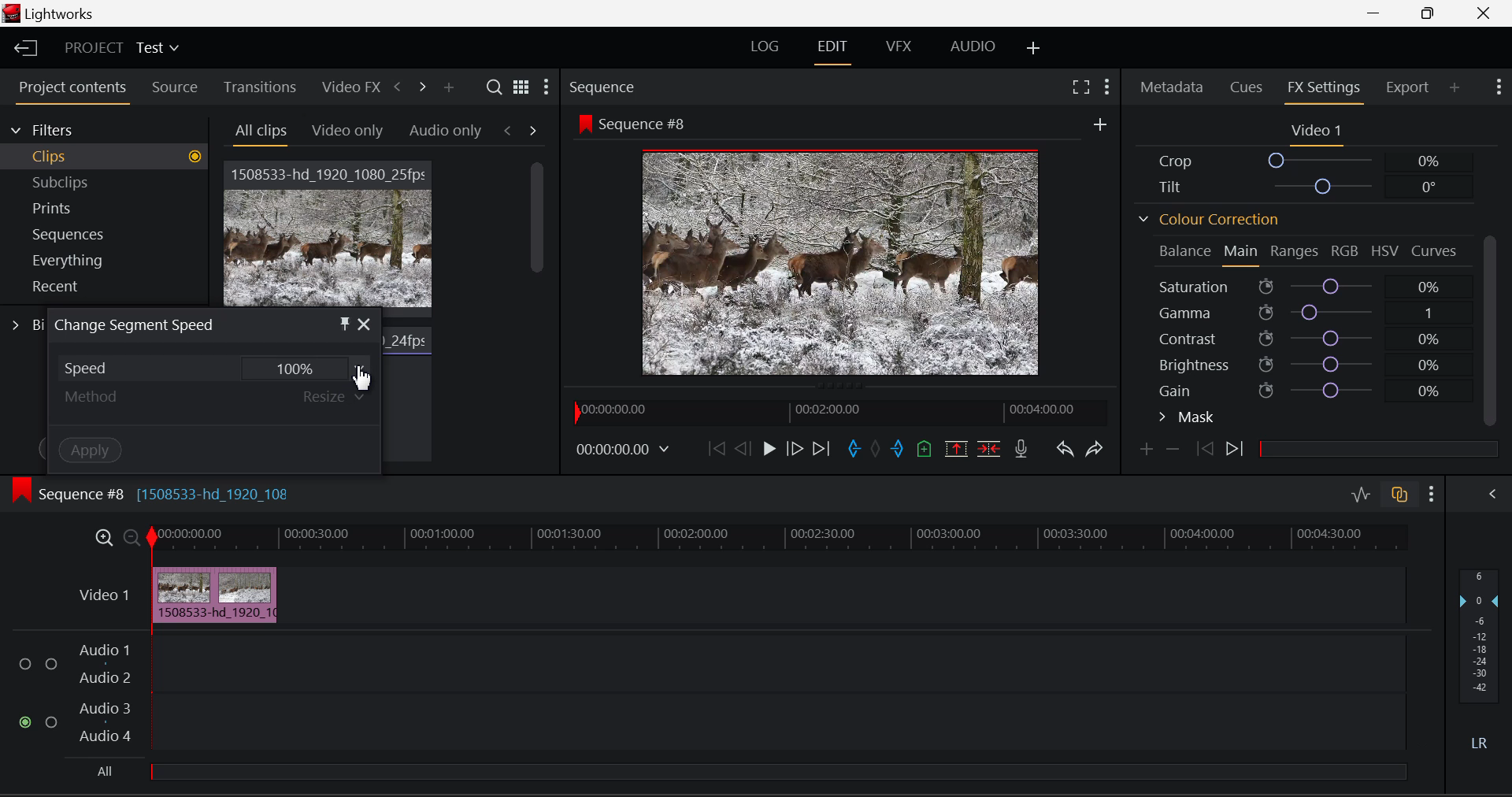 Image resolution: width=1512 pixels, height=797 pixels. What do you see at coordinates (113, 210) in the screenshot?
I see `Prints` at bounding box center [113, 210].